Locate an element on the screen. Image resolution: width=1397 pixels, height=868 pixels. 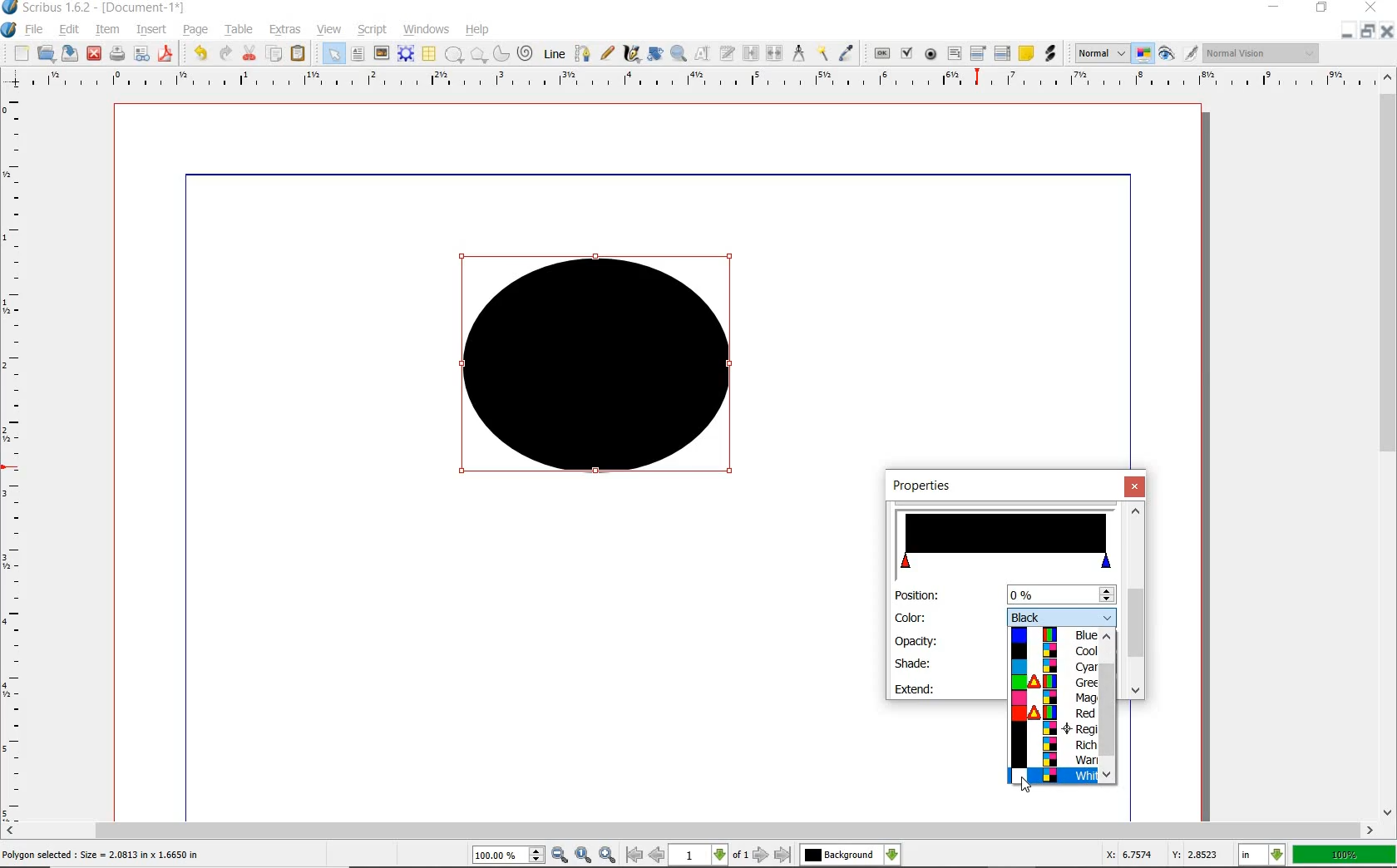
EXTRAS is located at coordinates (285, 30).